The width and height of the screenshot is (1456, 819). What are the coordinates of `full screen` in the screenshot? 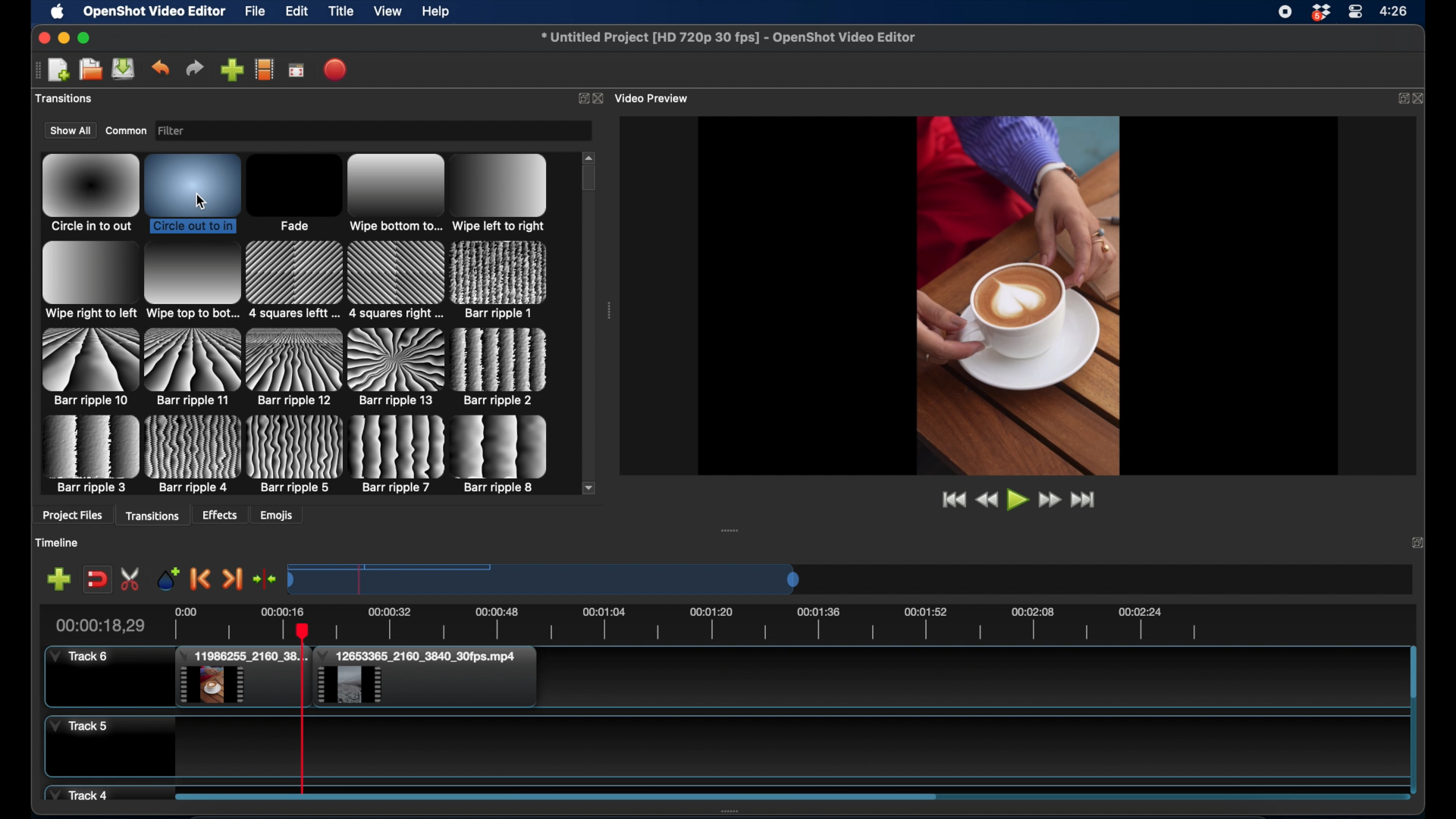 It's located at (297, 69).